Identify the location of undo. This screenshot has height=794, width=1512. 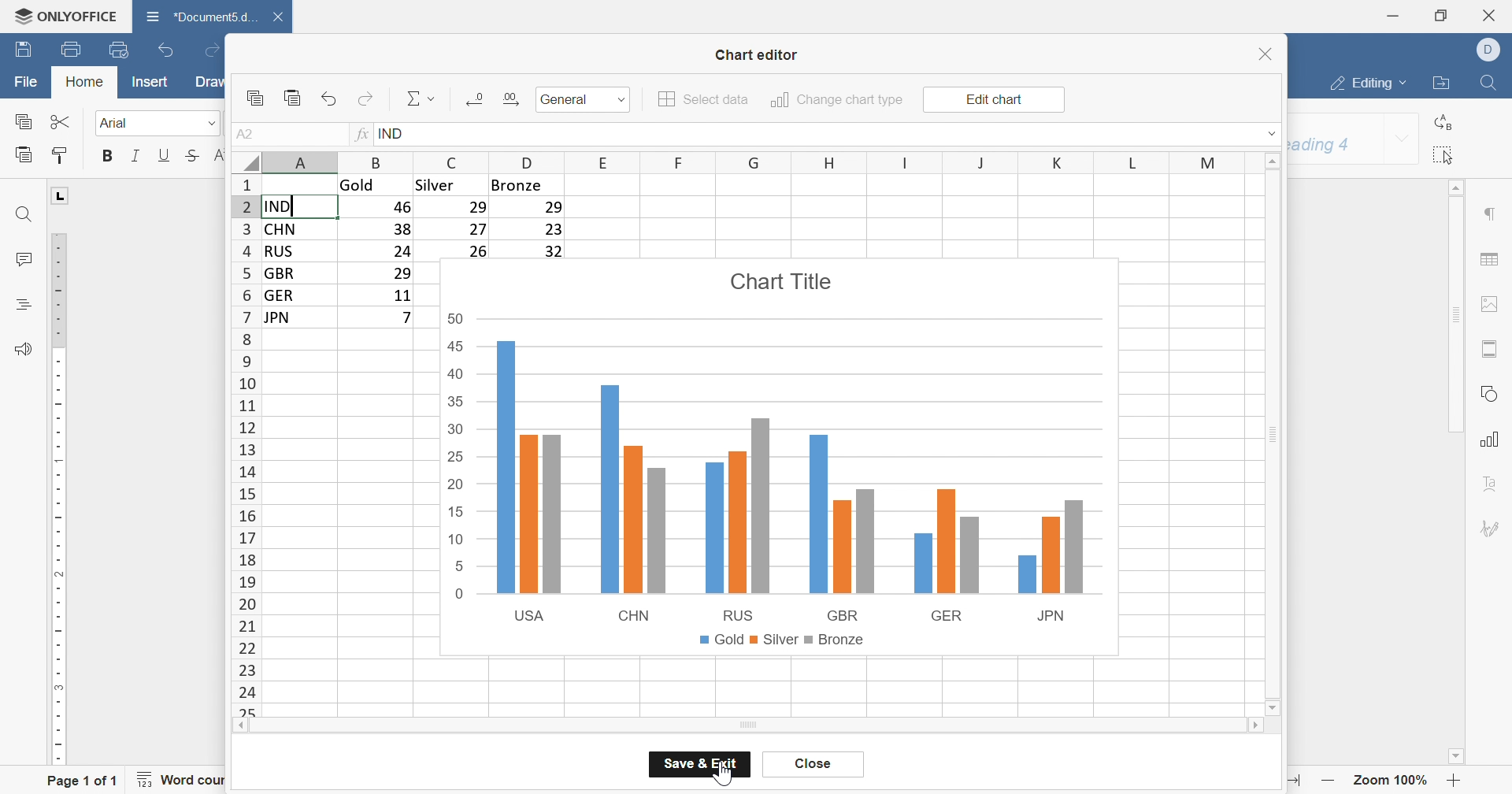
(168, 49).